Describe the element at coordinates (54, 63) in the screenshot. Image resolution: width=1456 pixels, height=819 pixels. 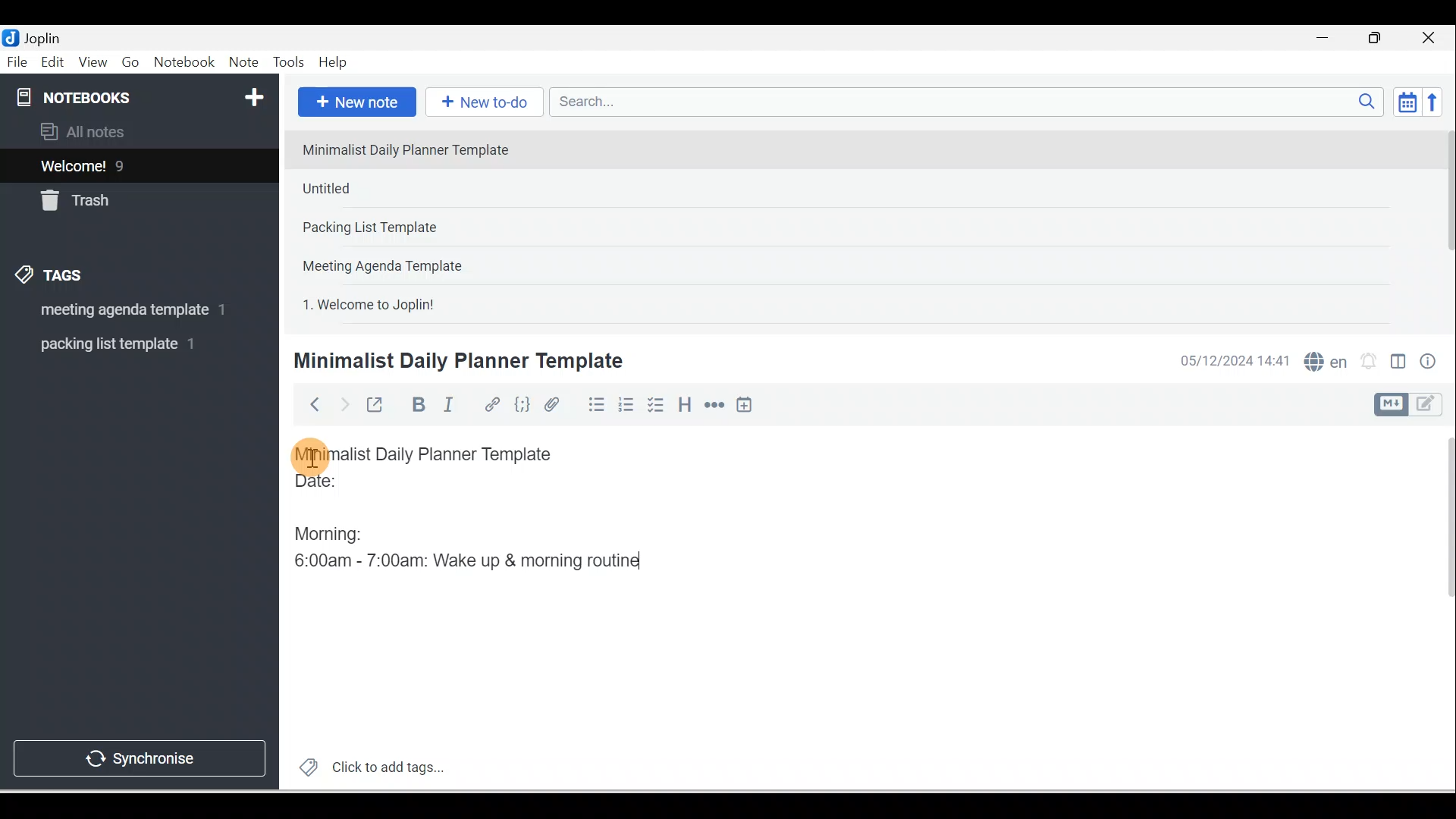
I see `Edit` at that location.